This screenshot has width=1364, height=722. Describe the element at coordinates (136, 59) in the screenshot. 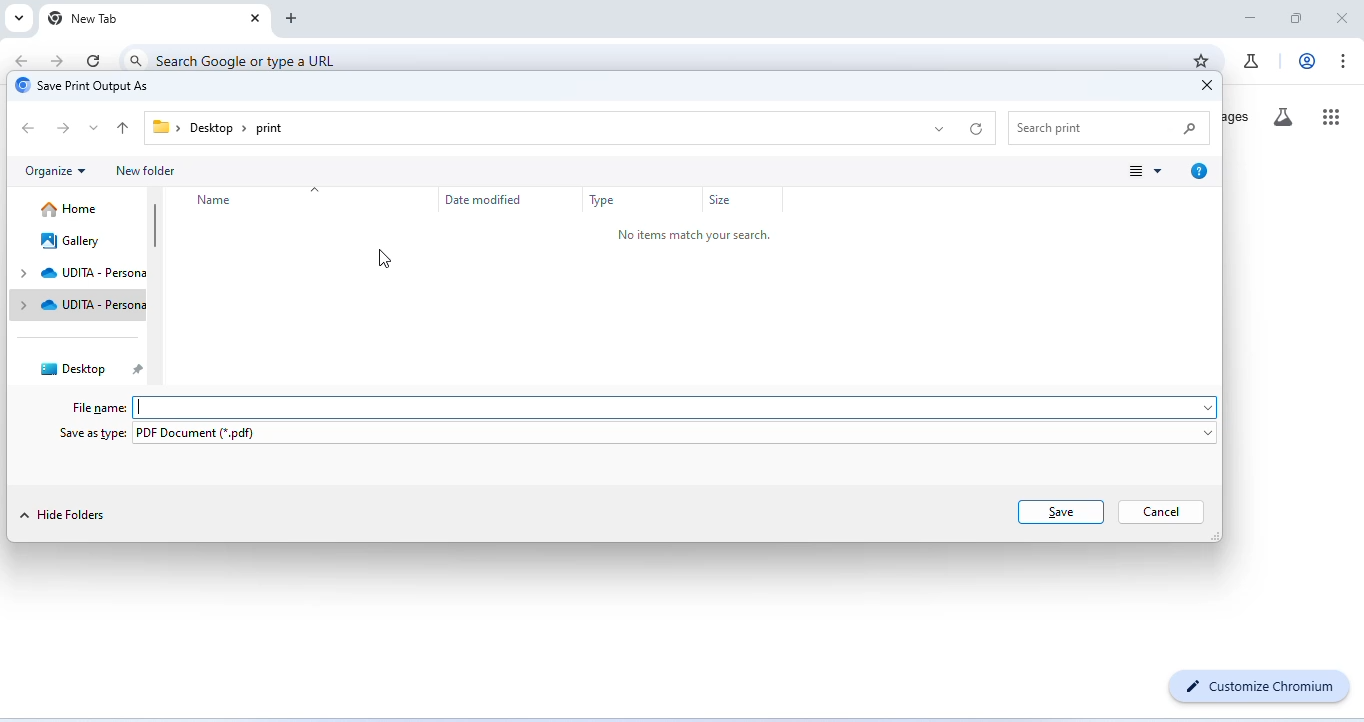

I see `search icon` at that location.